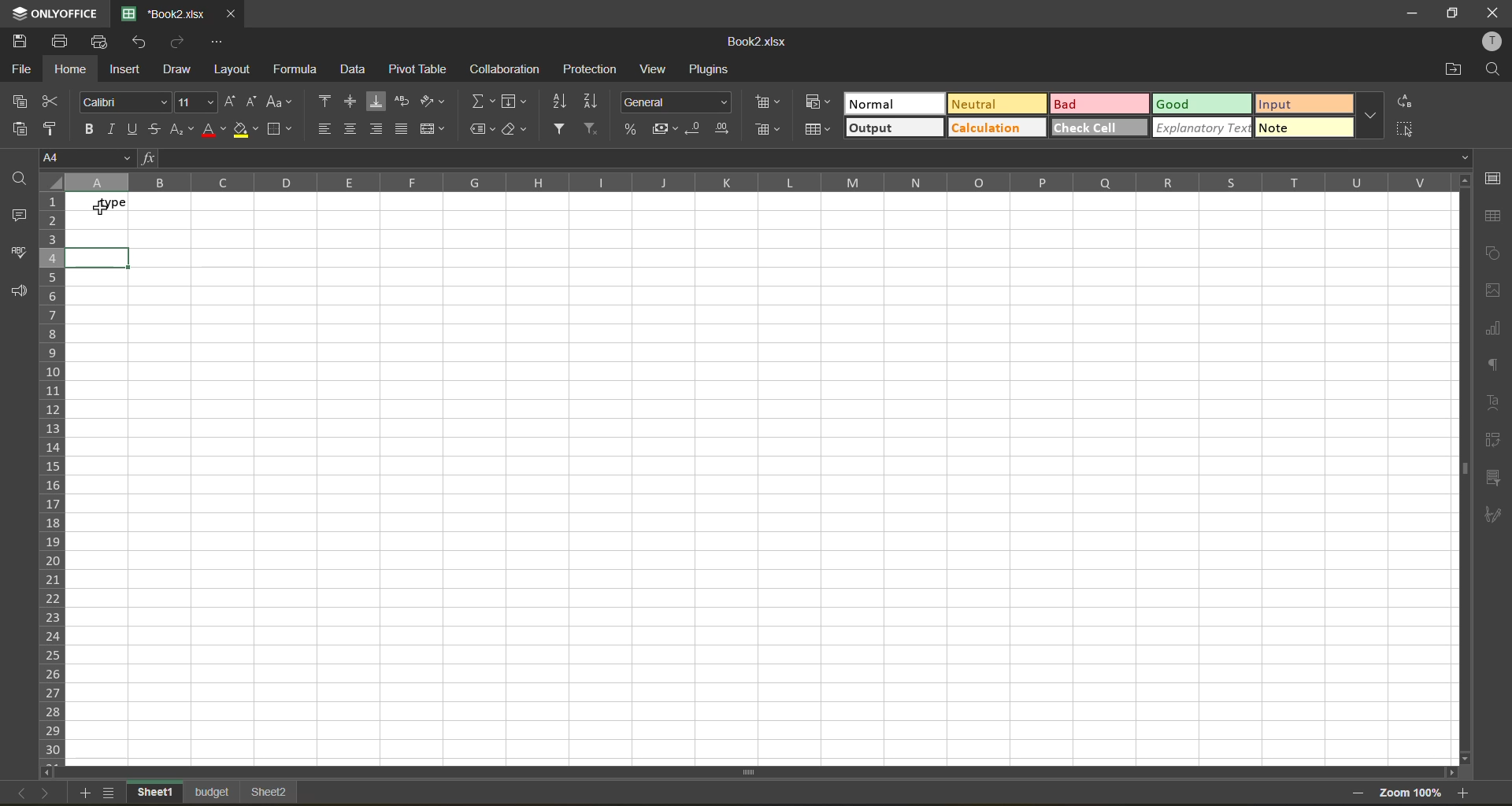 This screenshot has height=806, width=1512. What do you see at coordinates (232, 101) in the screenshot?
I see `increment size` at bounding box center [232, 101].